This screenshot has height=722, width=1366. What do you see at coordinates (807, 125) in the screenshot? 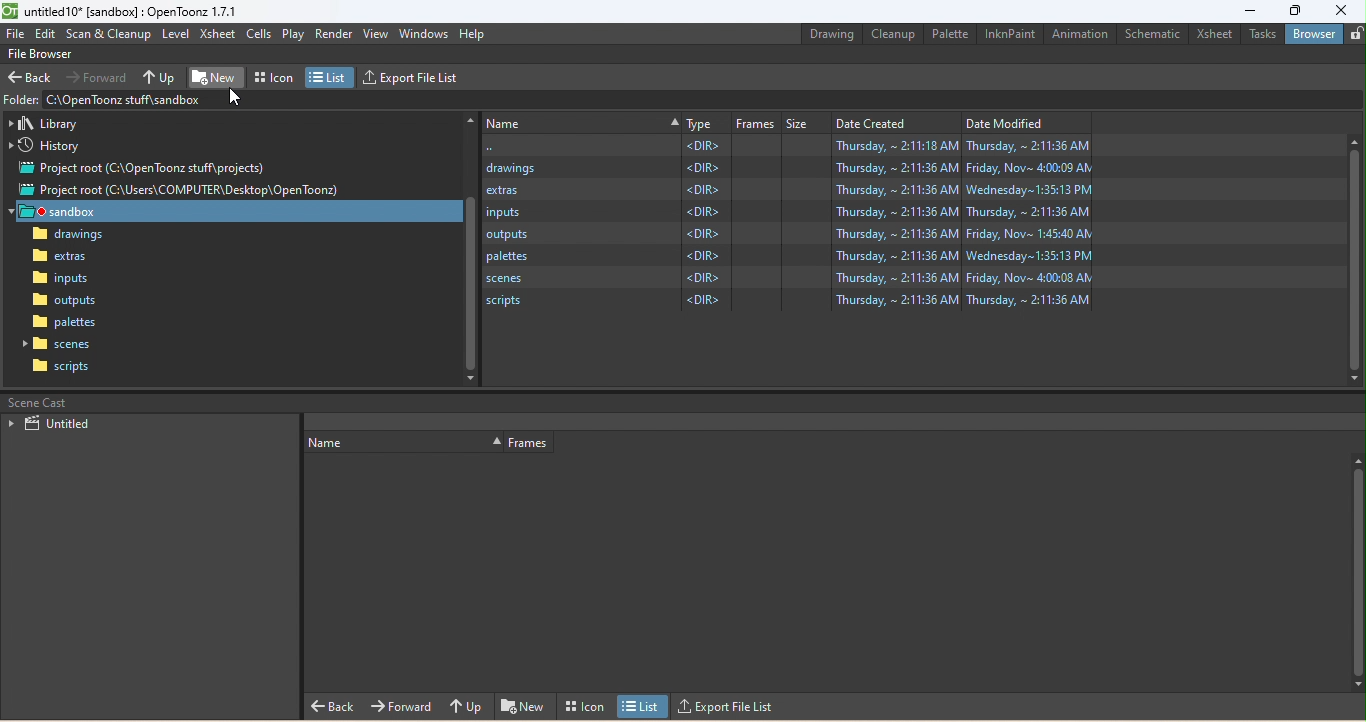
I see `Size` at bounding box center [807, 125].